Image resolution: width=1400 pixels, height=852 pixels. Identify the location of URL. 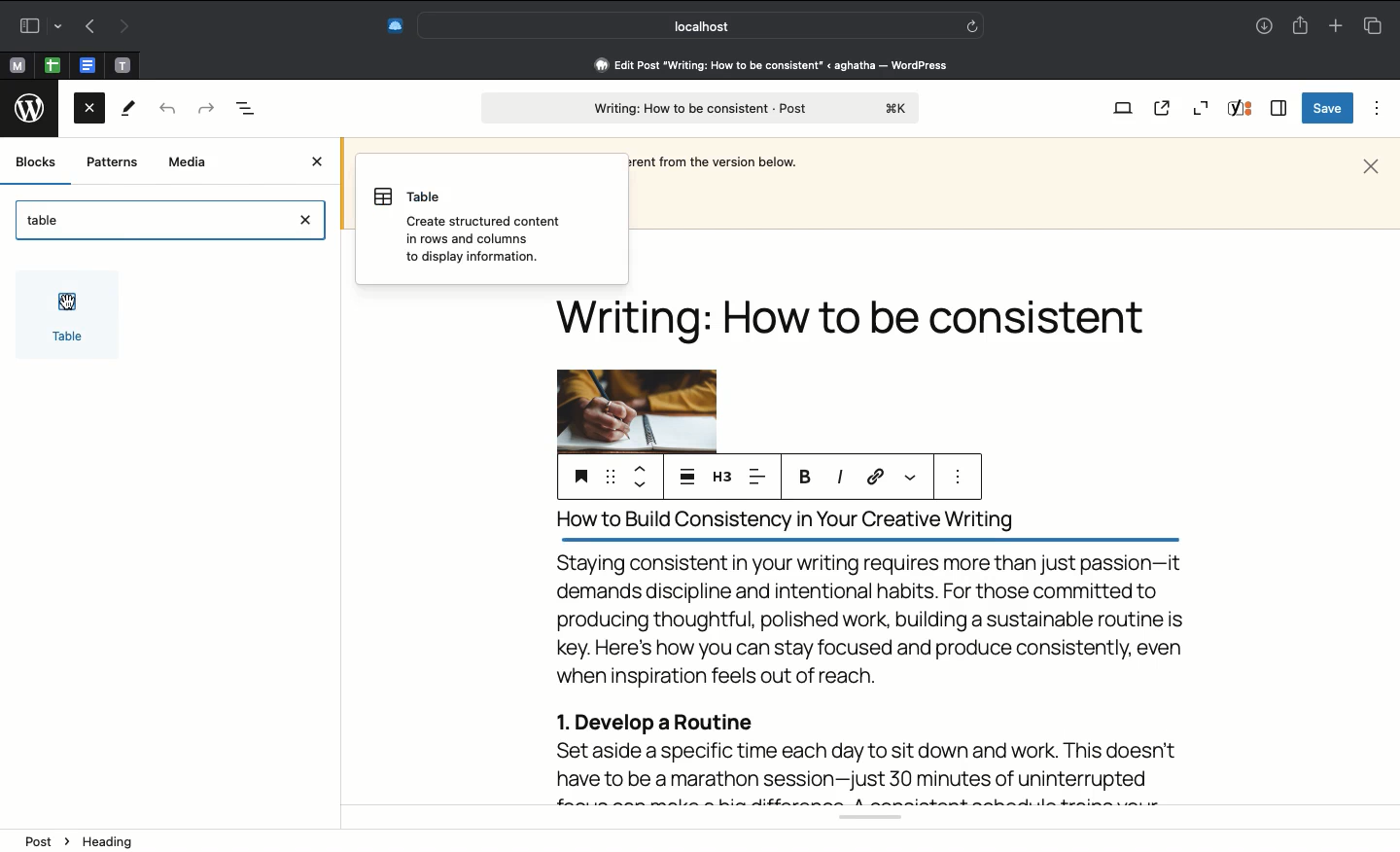
(874, 478).